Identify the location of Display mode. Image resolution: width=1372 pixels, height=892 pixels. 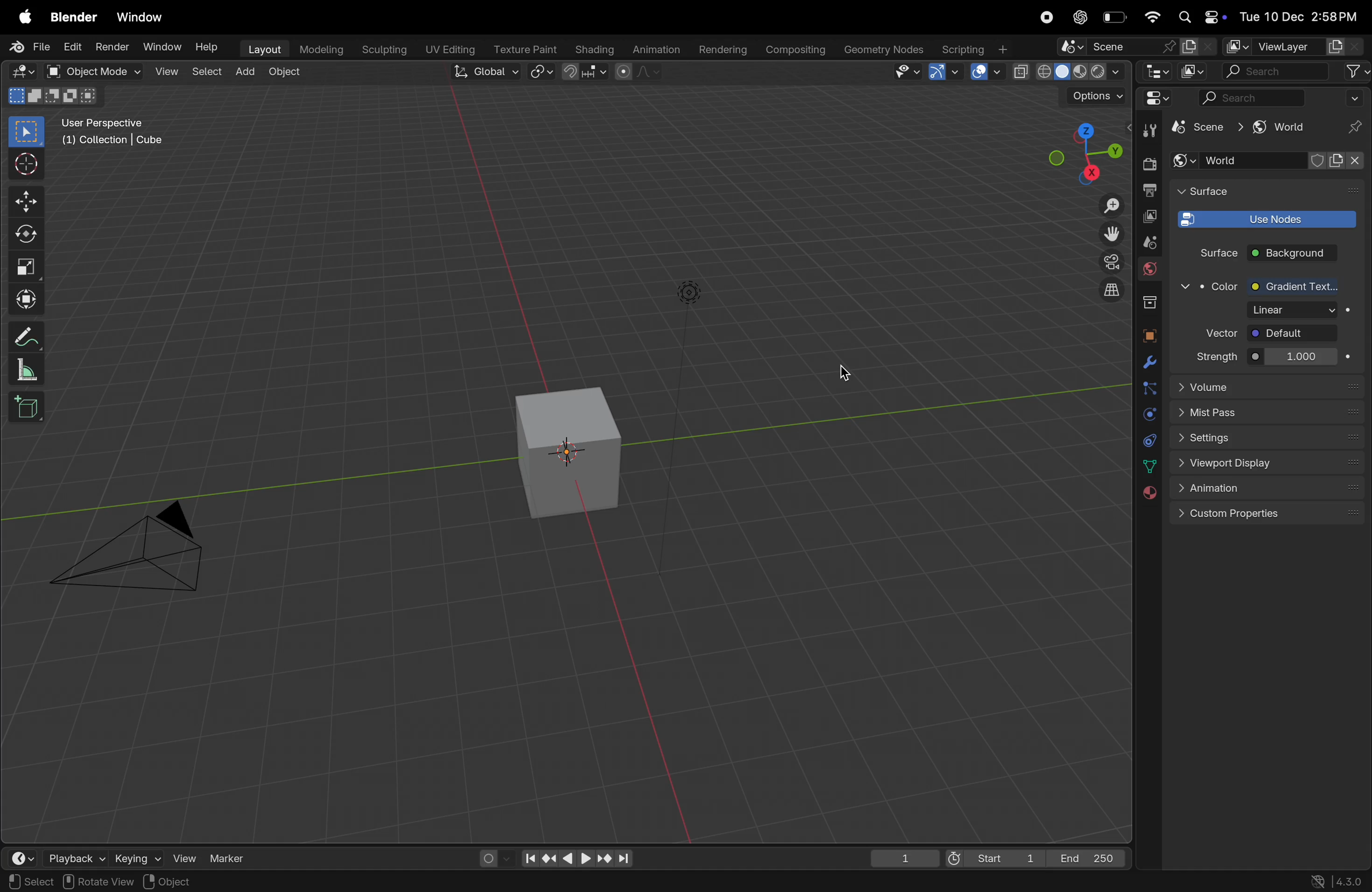
(1194, 71).